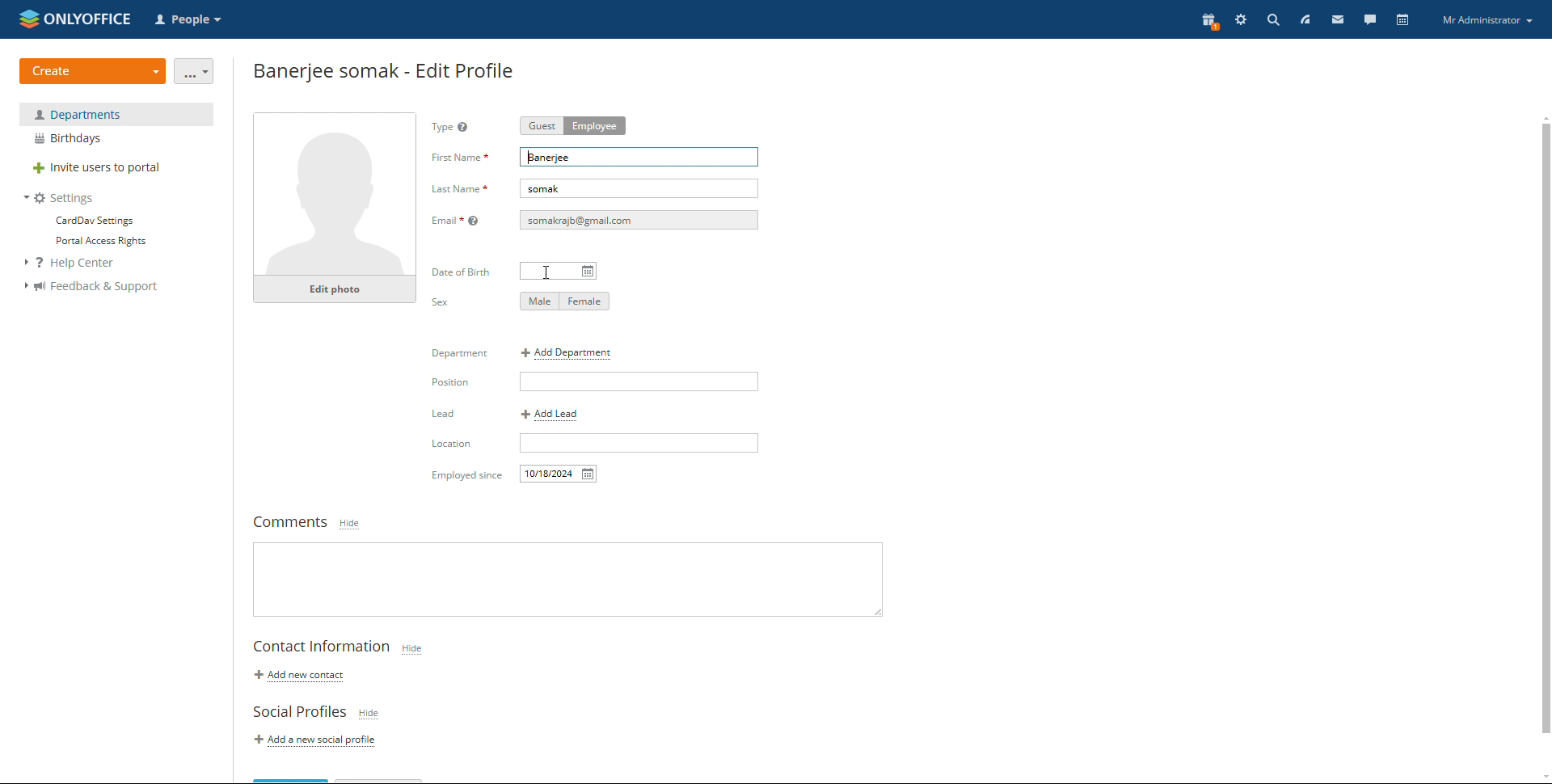 The width and height of the screenshot is (1552, 784). What do you see at coordinates (460, 382) in the screenshot?
I see `Position` at bounding box center [460, 382].